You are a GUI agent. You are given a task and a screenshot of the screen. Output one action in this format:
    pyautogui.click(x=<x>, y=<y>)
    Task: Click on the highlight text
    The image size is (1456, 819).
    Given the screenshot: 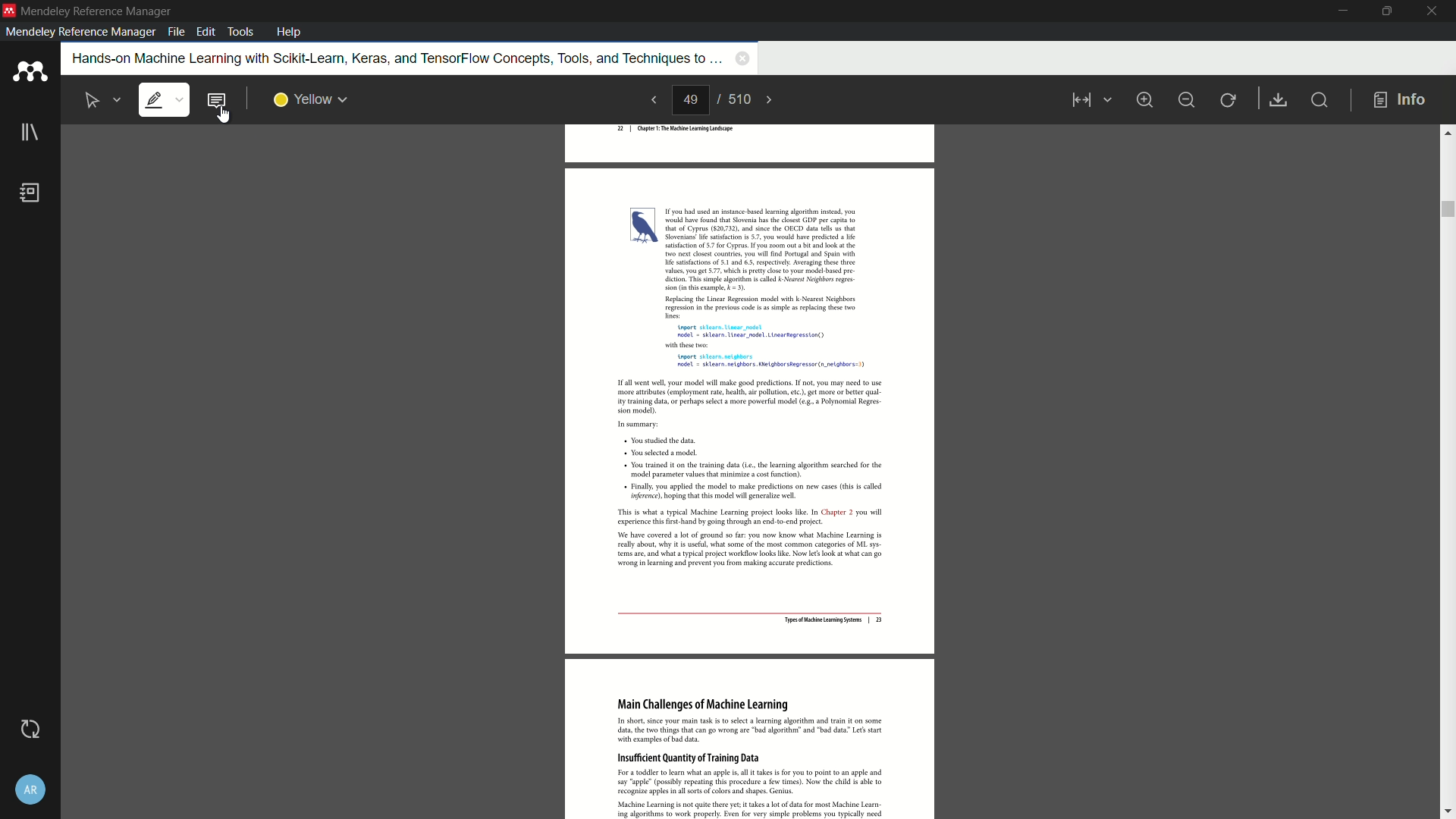 What is the action you would take?
    pyautogui.click(x=165, y=100)
    